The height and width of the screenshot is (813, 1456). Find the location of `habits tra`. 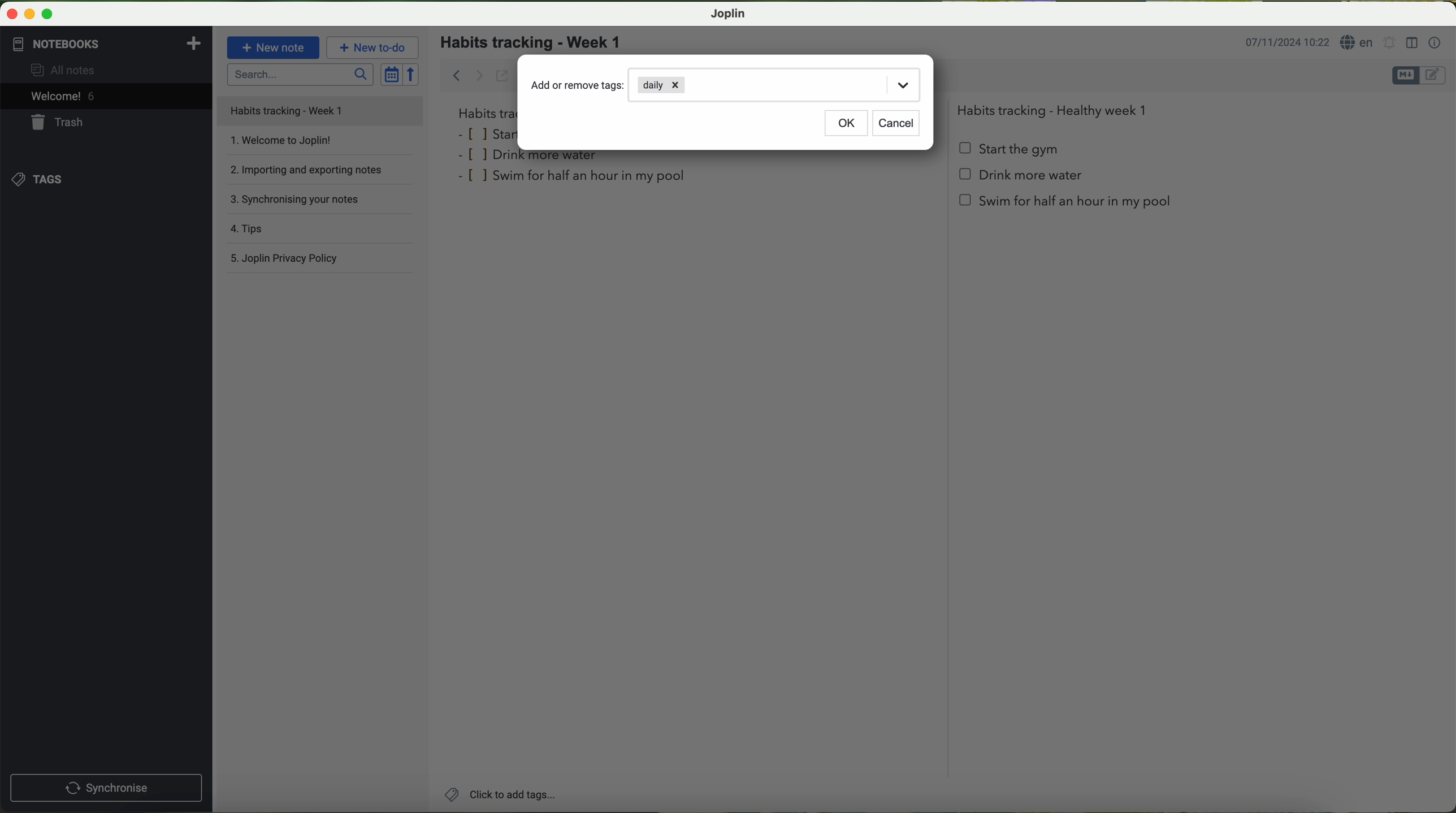

habits tra is located at coordinates (485, 113).